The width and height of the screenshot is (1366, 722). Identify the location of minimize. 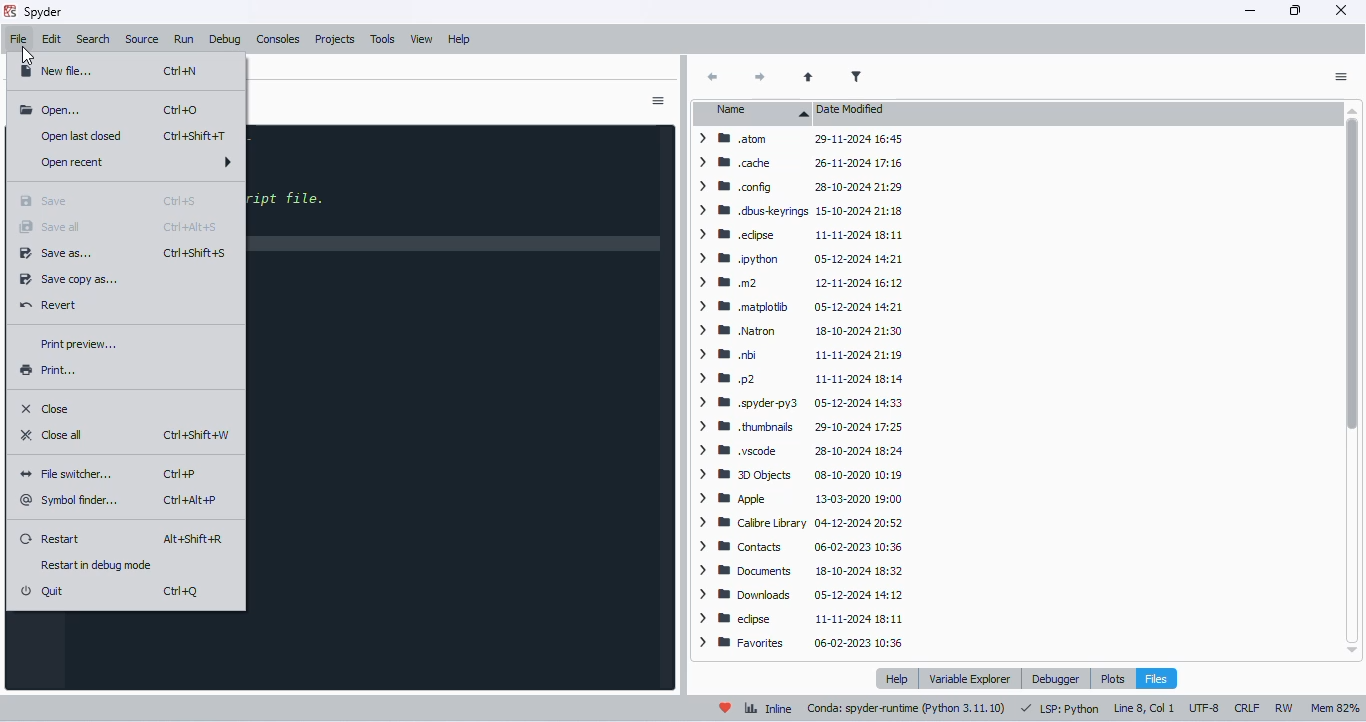
(1250, 11).